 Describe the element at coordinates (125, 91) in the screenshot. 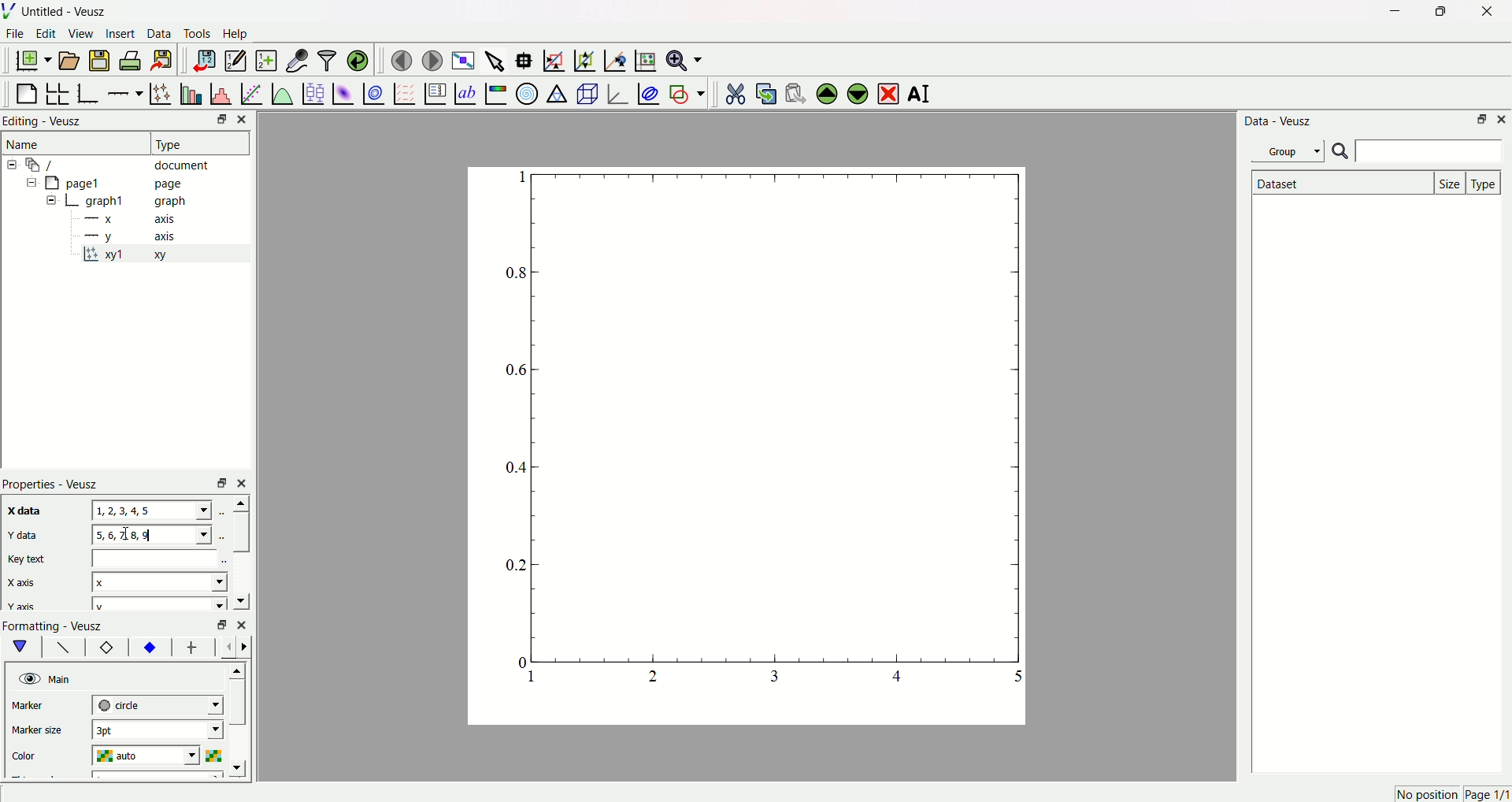

I see `add axis` at that location.